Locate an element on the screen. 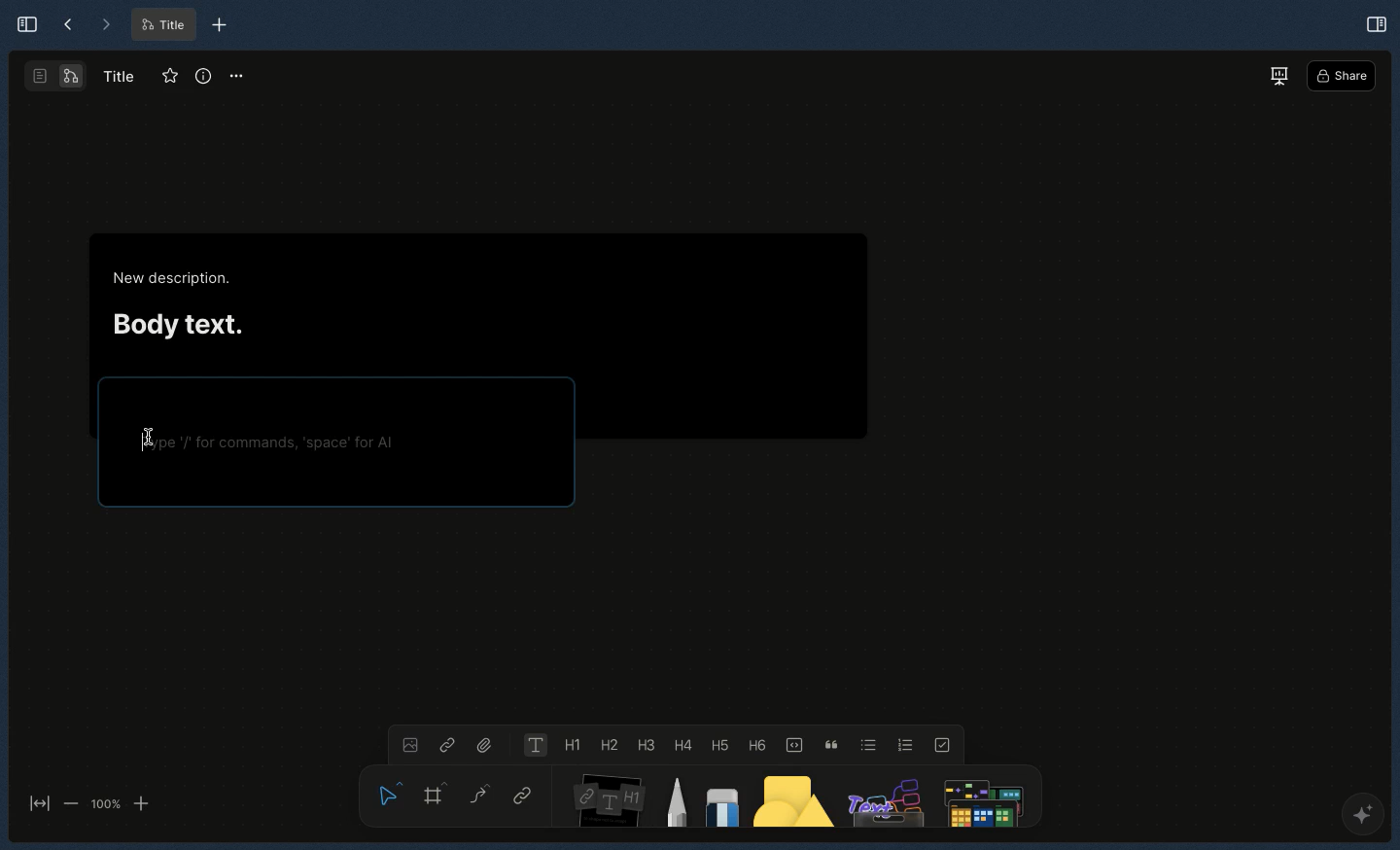 Image resolution: width=1400 pixels, height=850 pixels. Code block is located at coordinates (792, 743).